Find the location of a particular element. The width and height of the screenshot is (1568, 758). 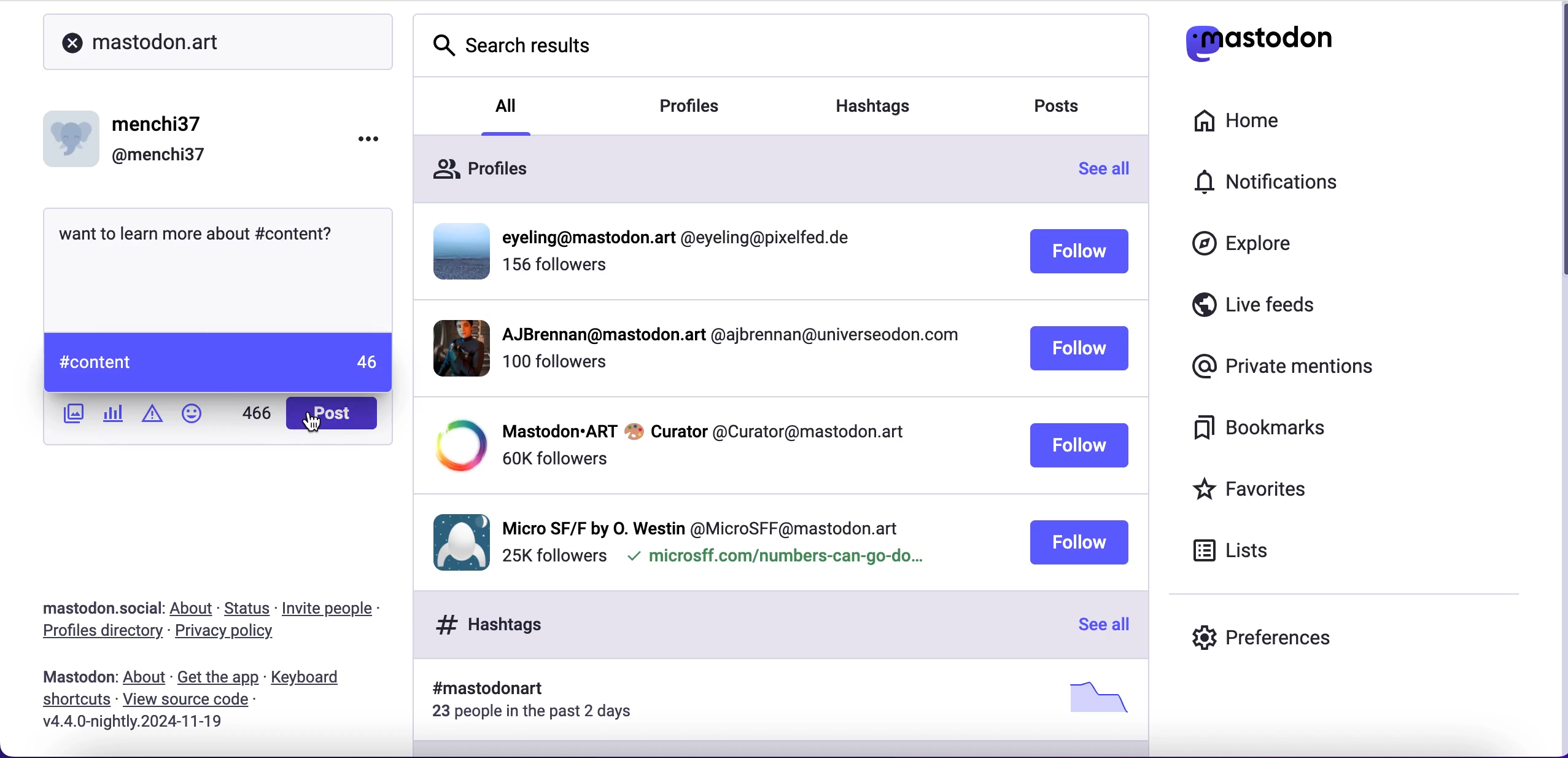

profile is located at coordinates (702, 525).